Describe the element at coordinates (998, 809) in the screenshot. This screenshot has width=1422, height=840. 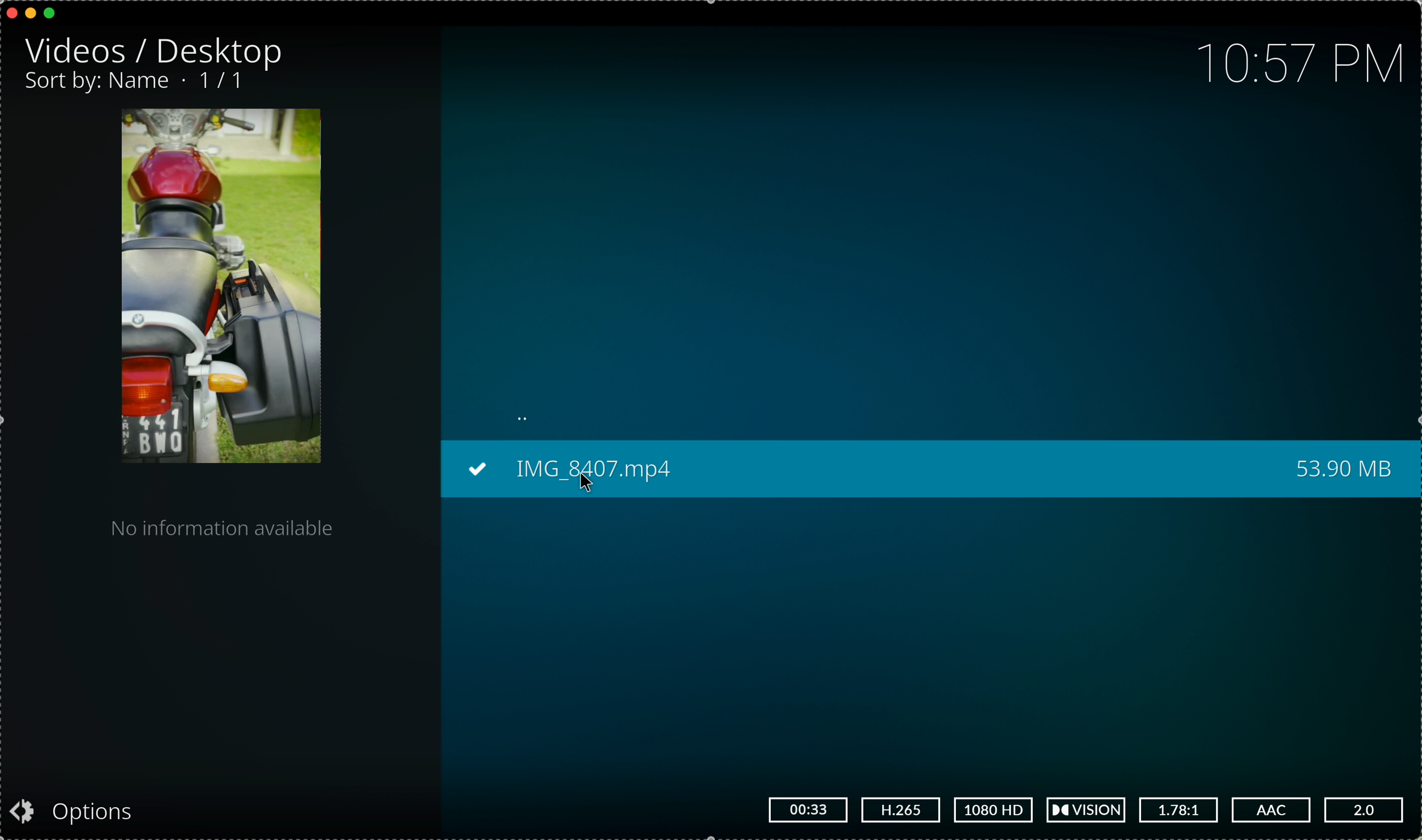
I see `1080 HD` at that location.